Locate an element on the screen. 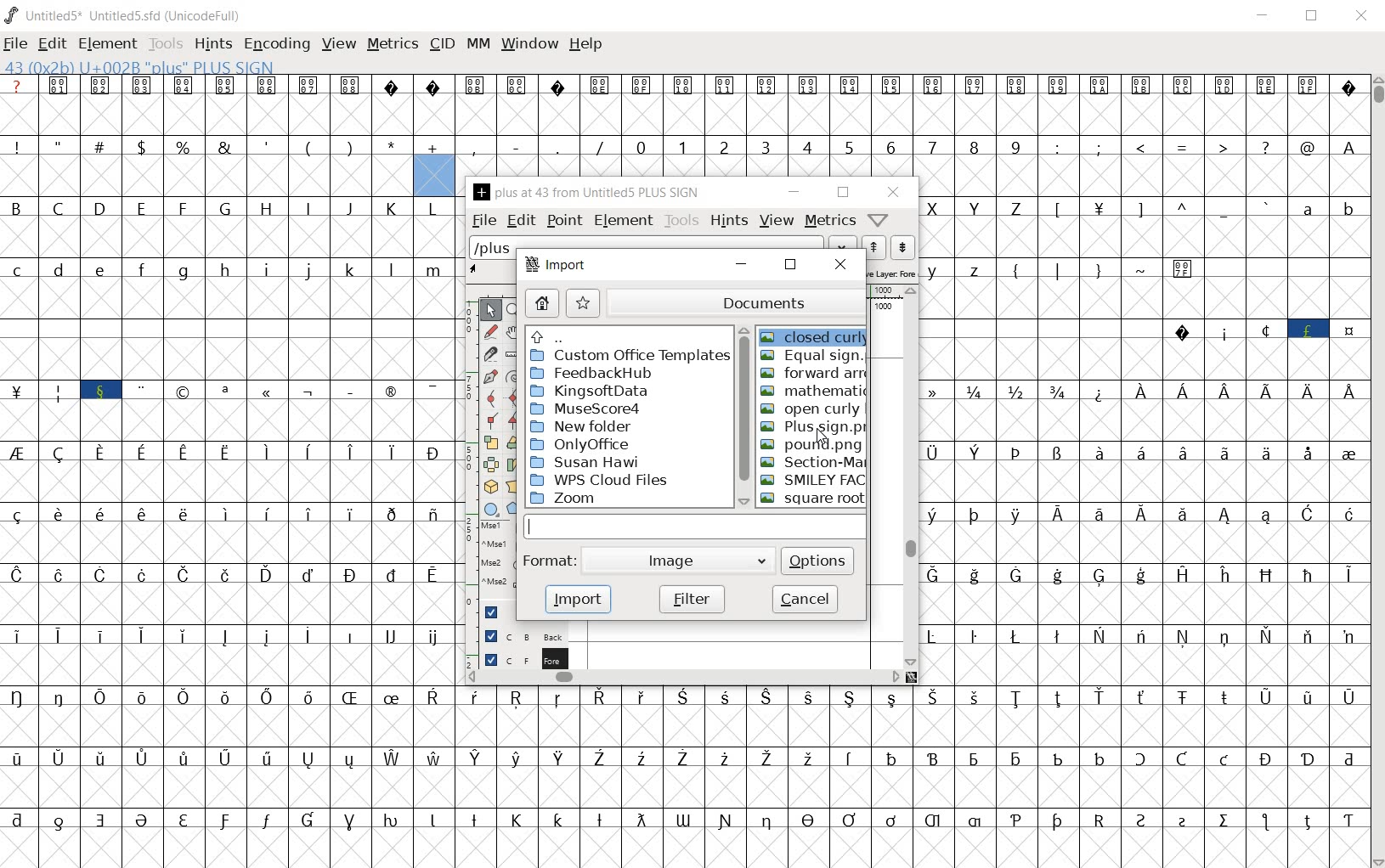 The width and height of the screenshot is (1385, 868). star is located at coordinates (582, 302).